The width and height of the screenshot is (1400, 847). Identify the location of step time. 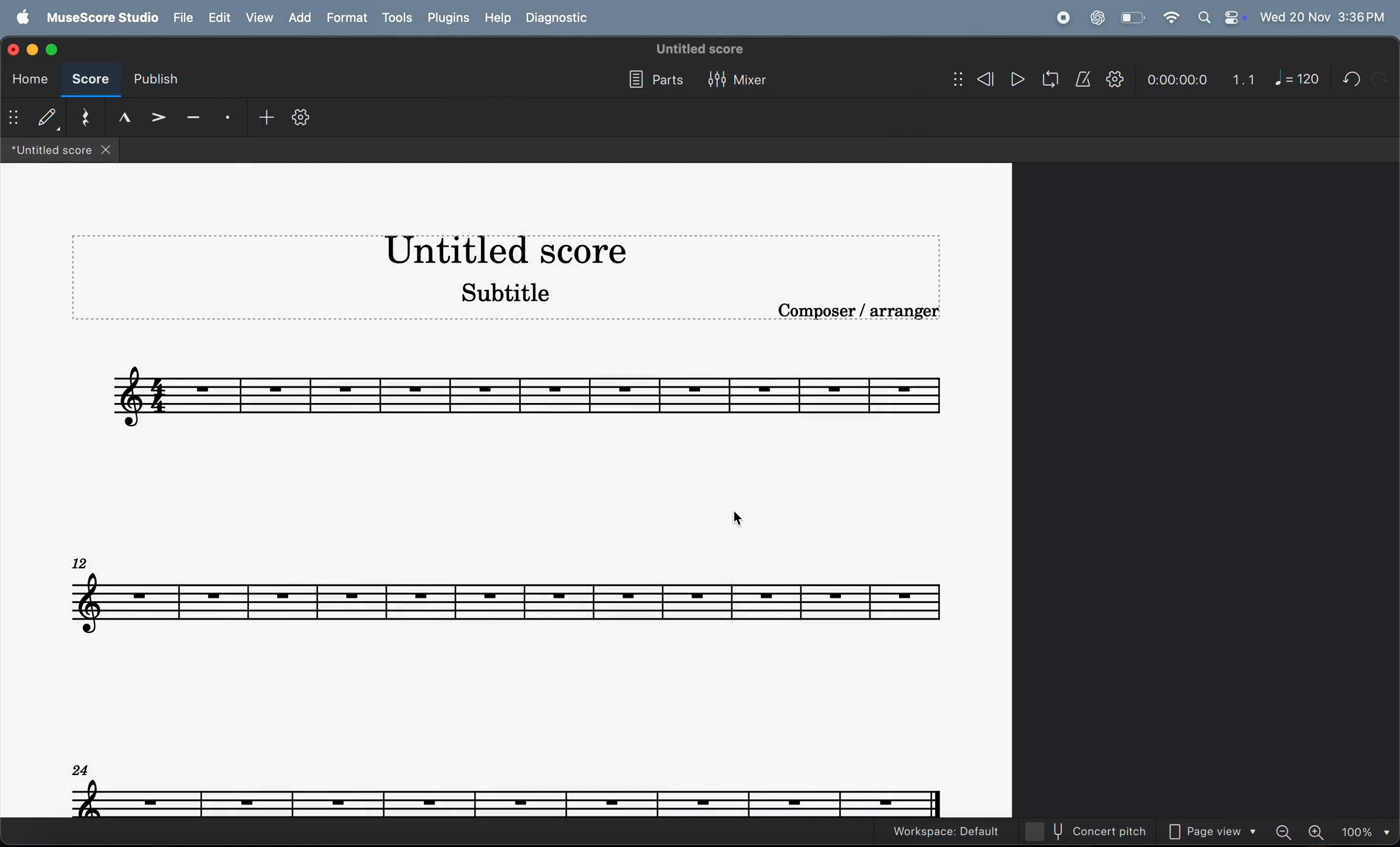
(34, 118).